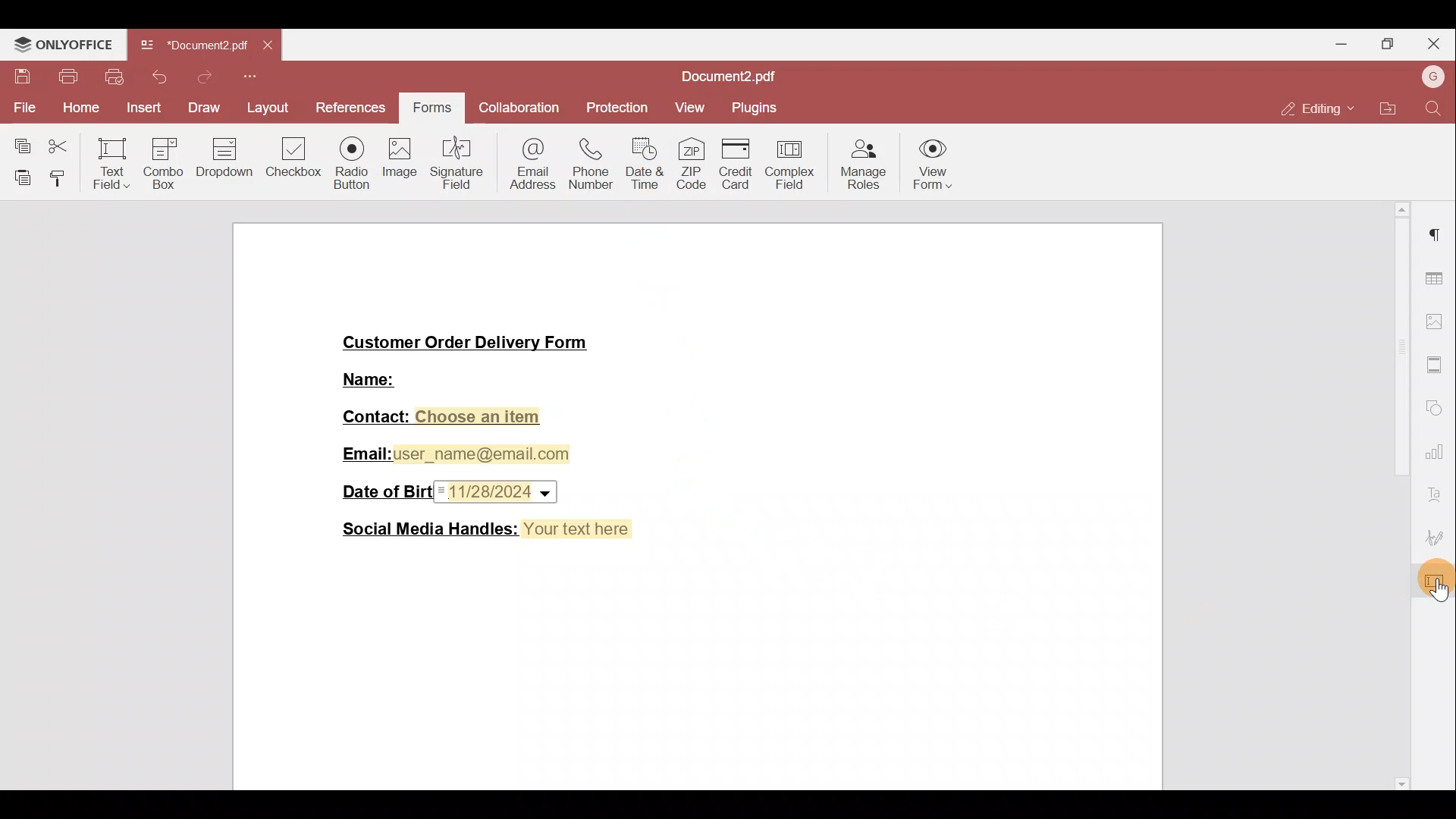 The width and height of the screenshot is (1456, 819). What do you see at coordinates (77, 109) in the screenshot?
I see `Home` at bounding box center [77, 109].